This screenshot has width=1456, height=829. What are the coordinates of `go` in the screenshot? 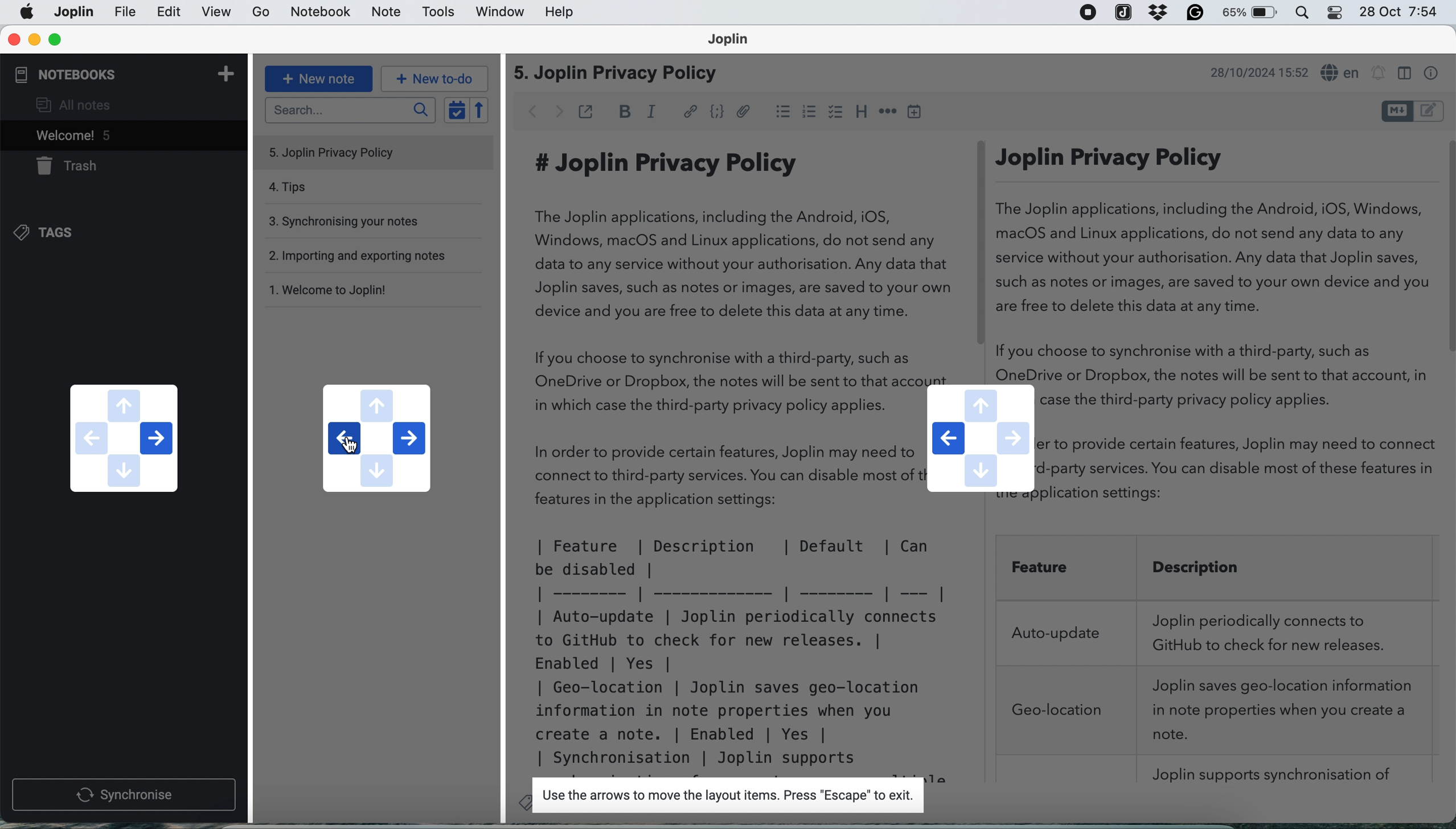 It's located at (262, 13).